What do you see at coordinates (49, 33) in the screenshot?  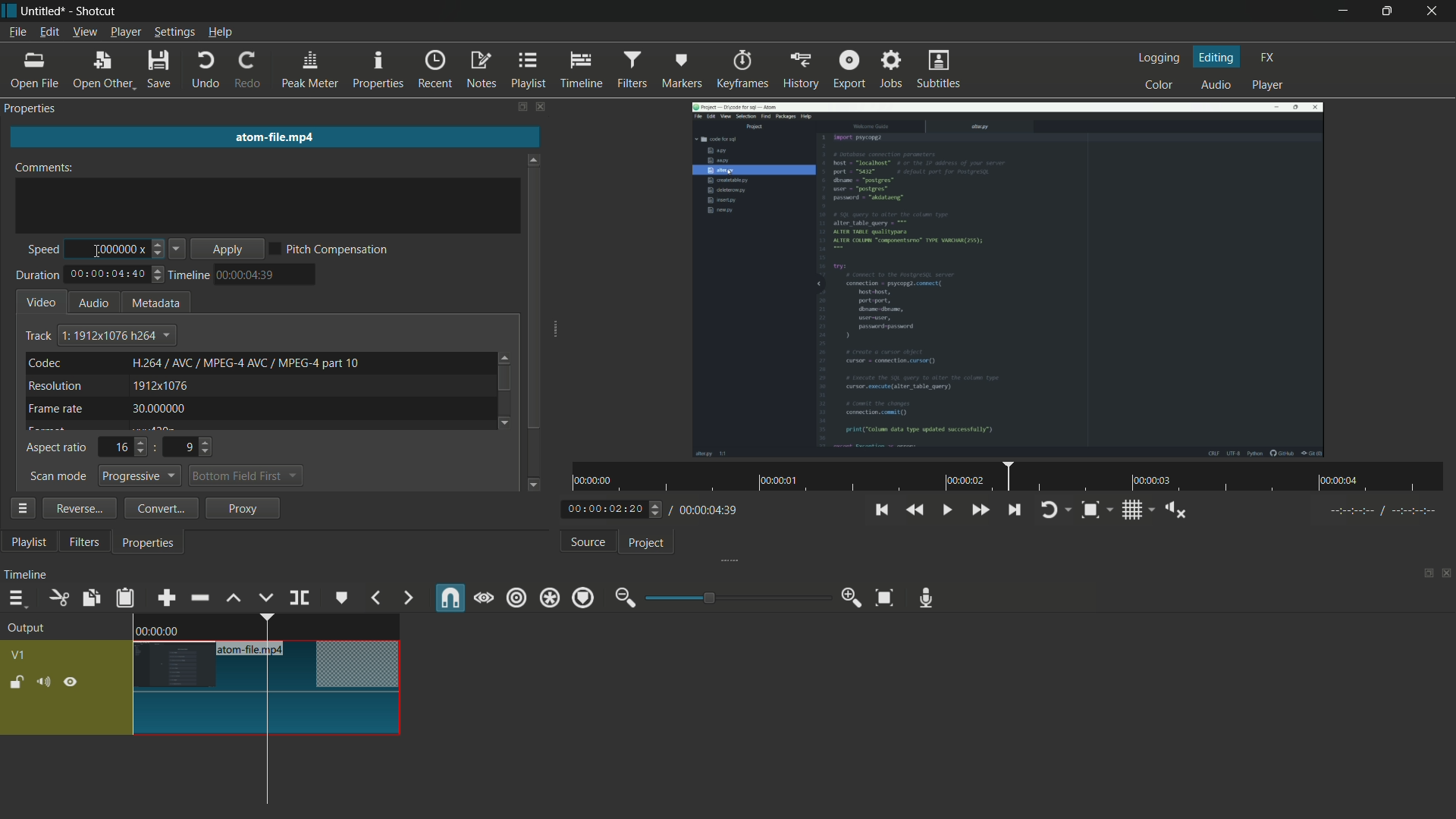 I see `edit` at bounding box center [49, 33].